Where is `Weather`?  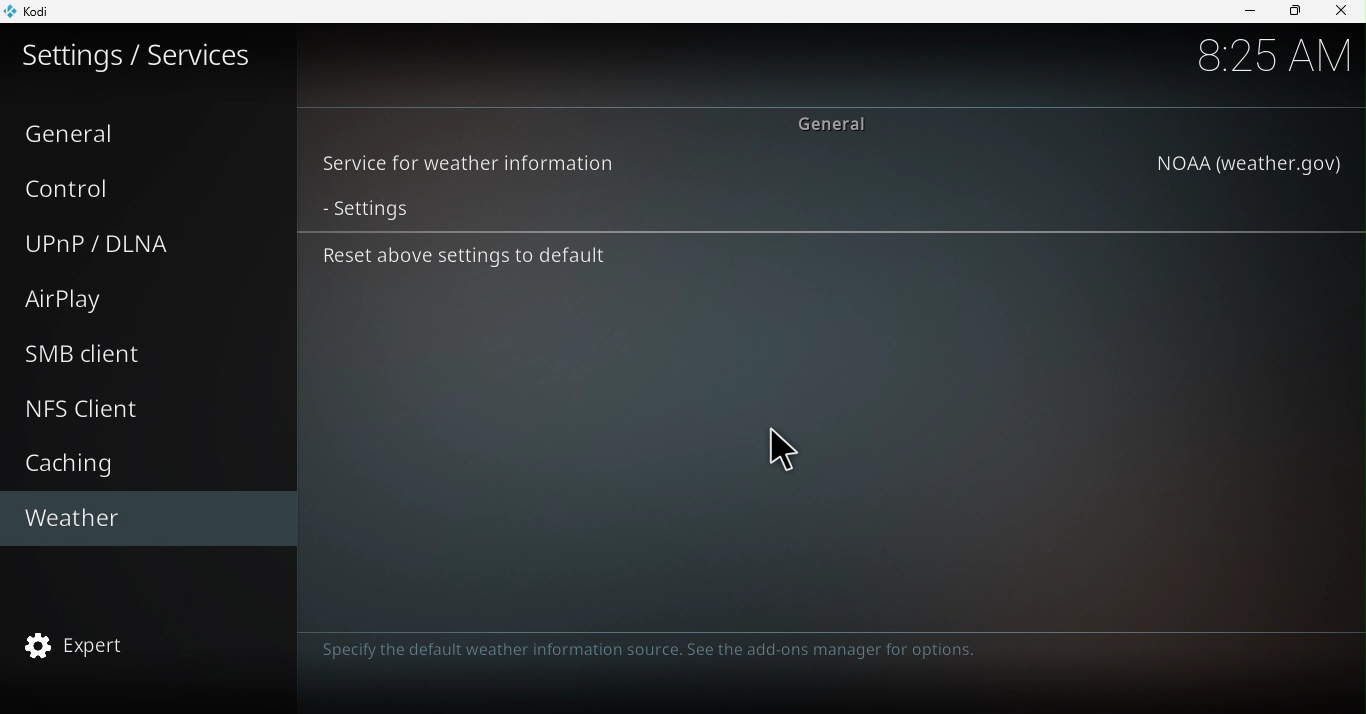 Weather is located at coordinates (141, 517).